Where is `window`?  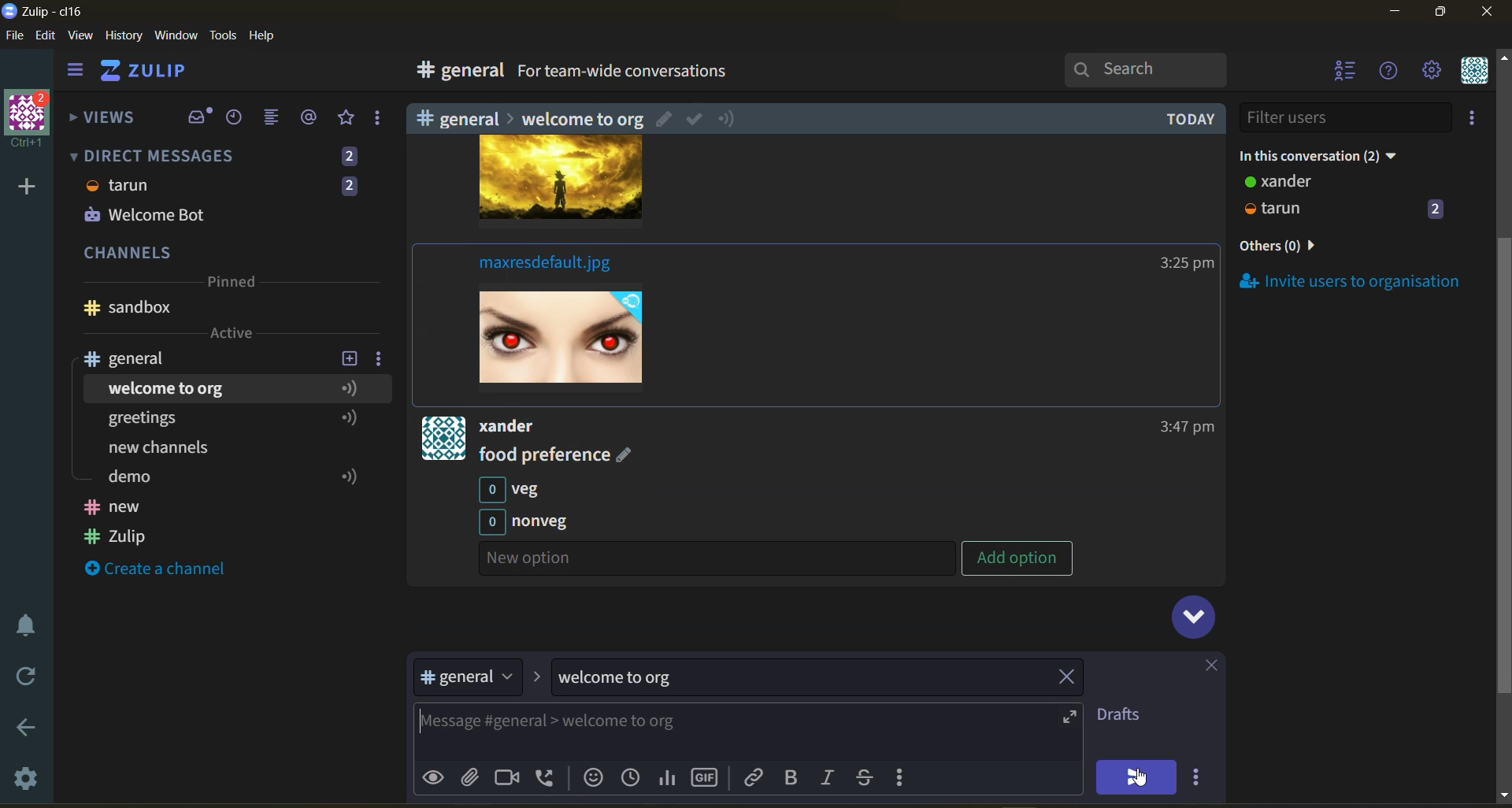
window is located at coordinates (174, 36).